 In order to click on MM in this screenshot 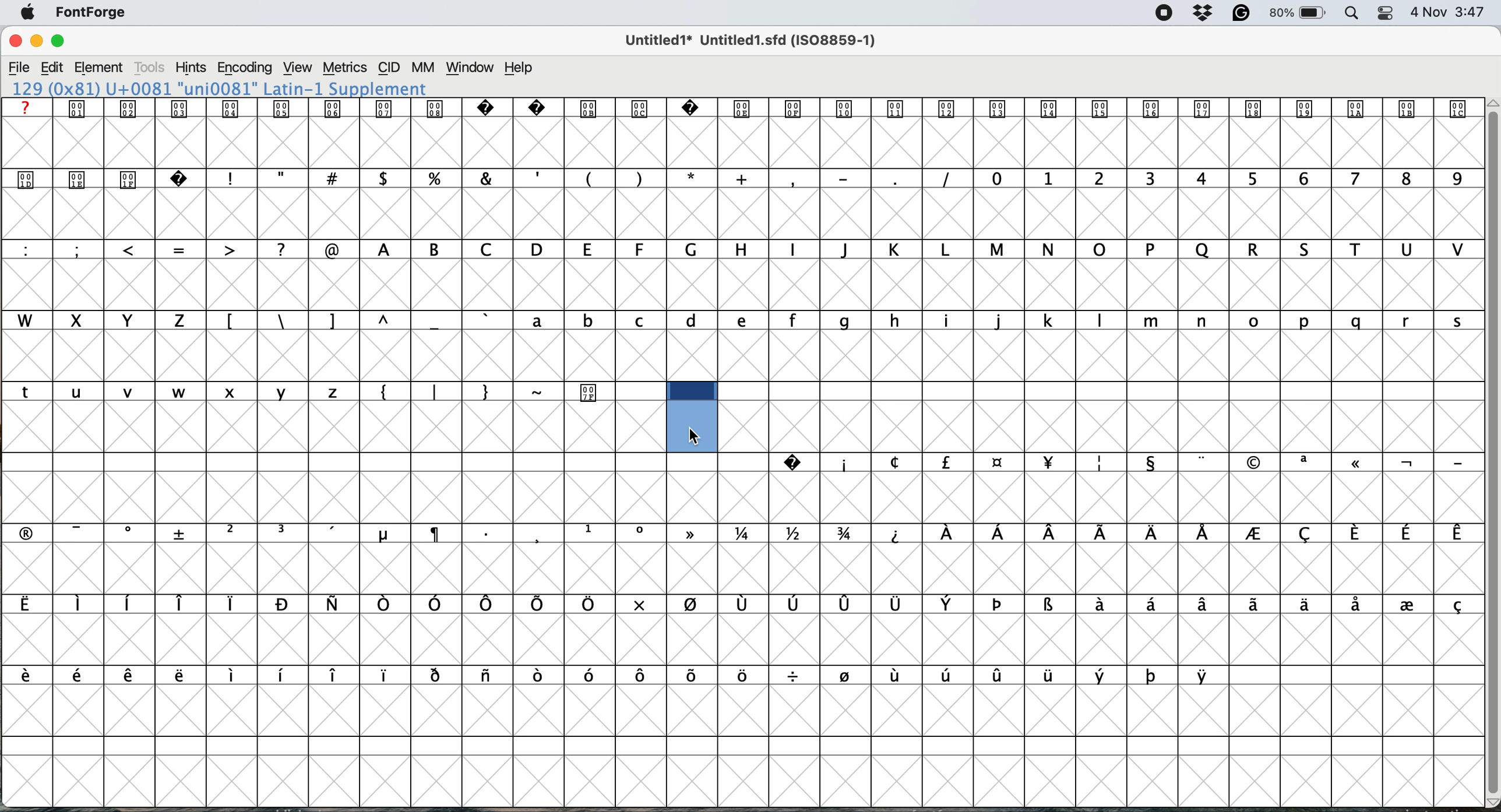, I will do `click(424, 68)`.